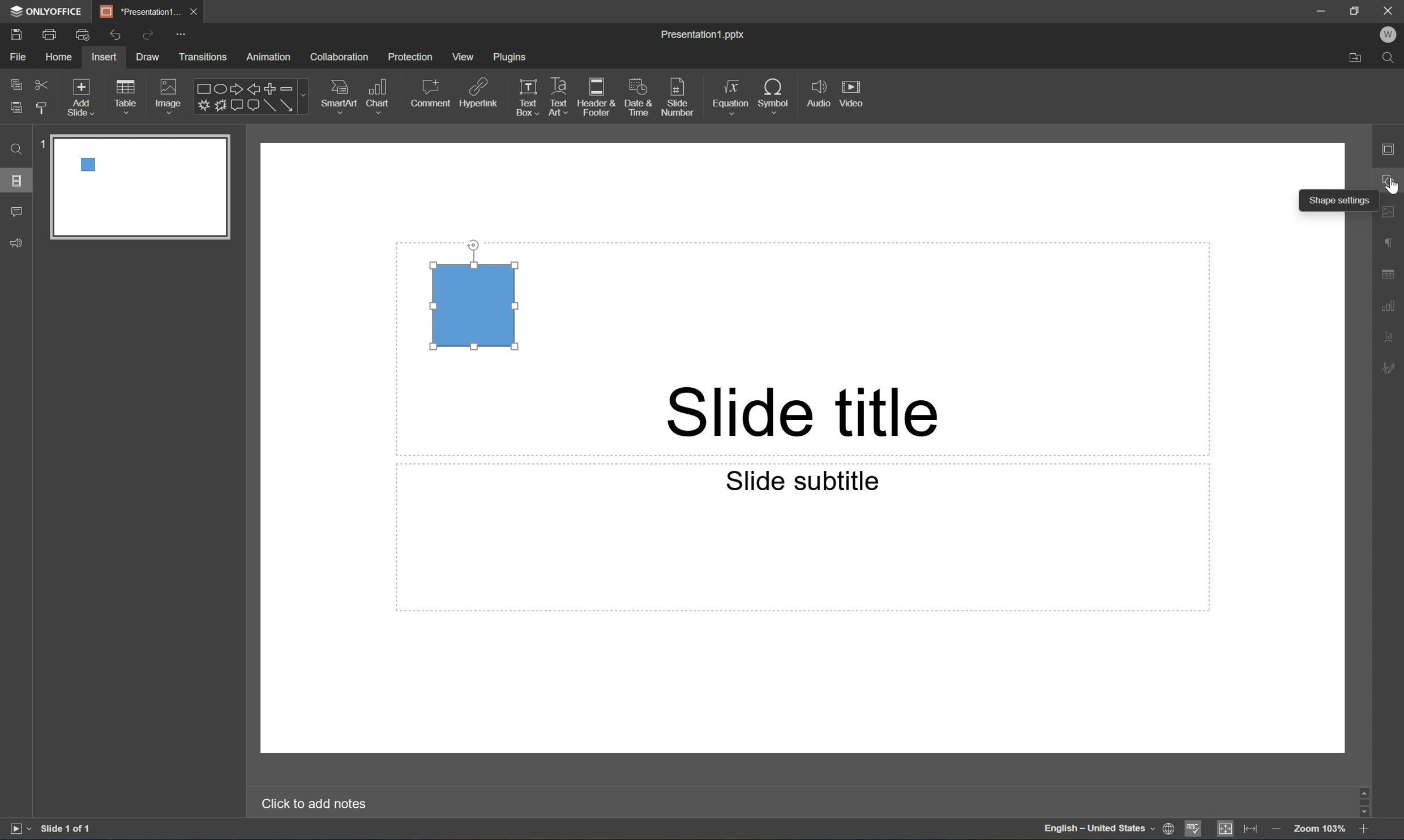  Describe the element at coordinates (16, 108) in the screenshot. I see `Paste` at that location.